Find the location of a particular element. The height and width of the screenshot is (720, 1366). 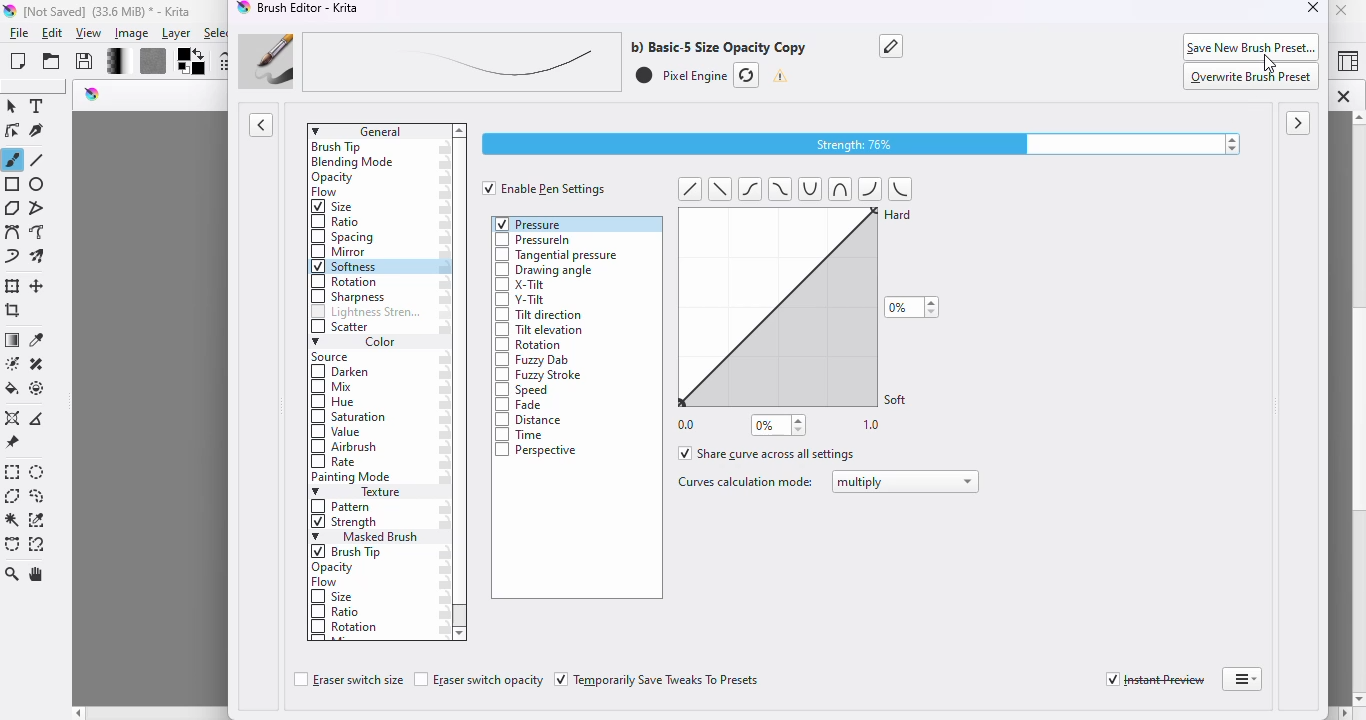

vertical scroll bar is located at coordinates (461, 616).